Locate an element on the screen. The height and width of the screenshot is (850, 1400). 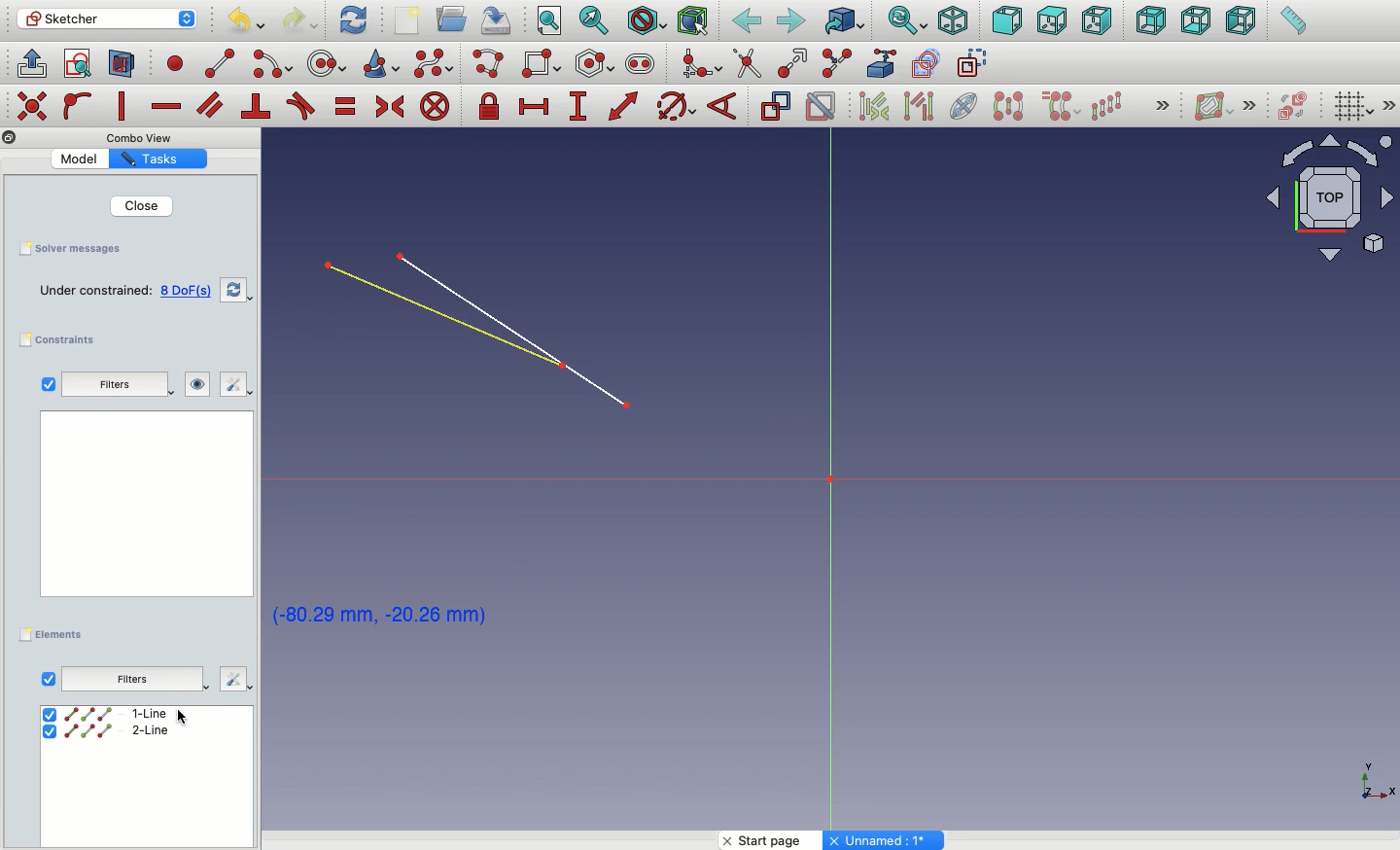
Left is located at coordinates (1242, 22).